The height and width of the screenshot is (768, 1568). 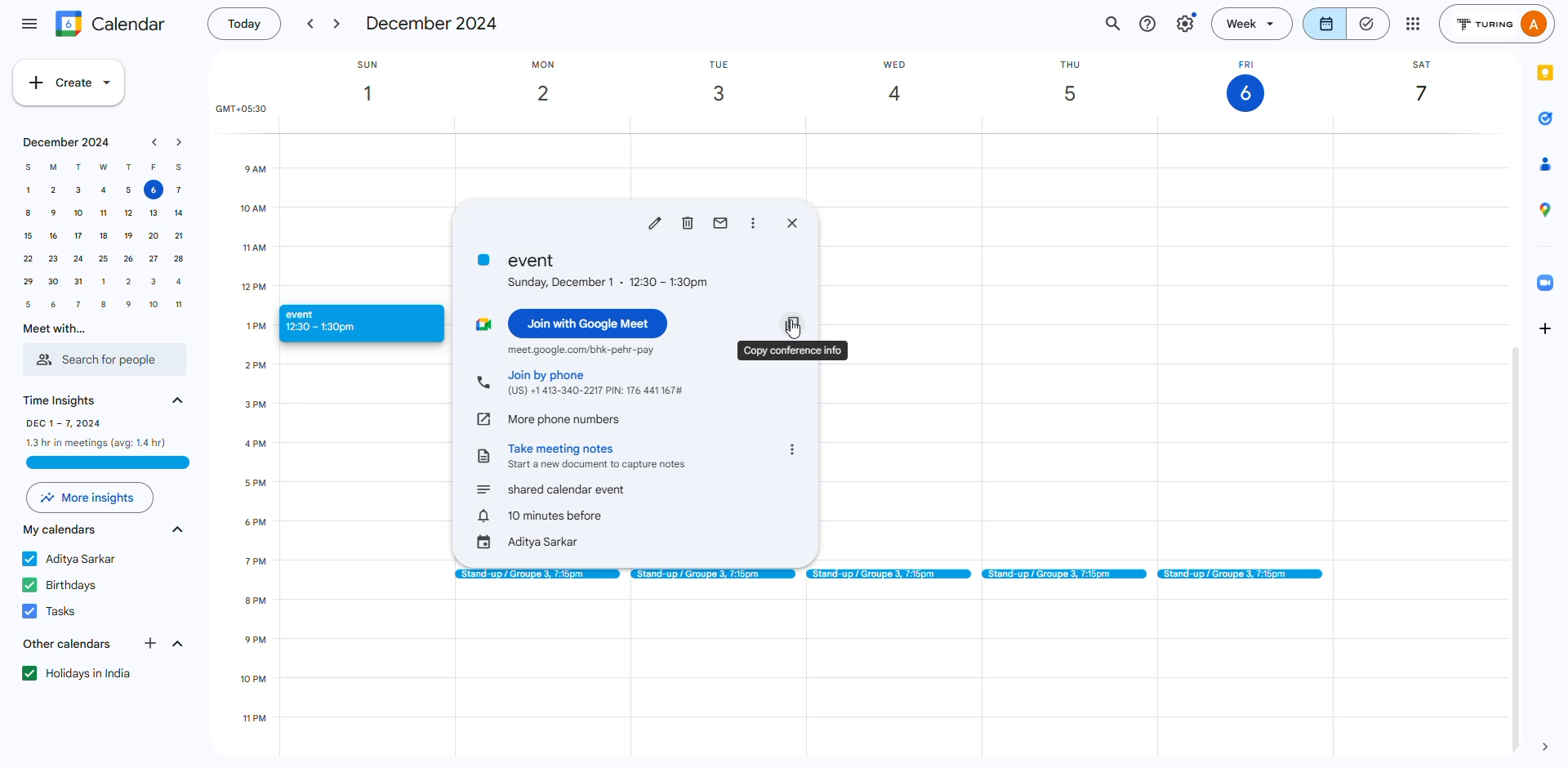 What do you see at coordinates (127, 236) in the screenshot?
I see `19` at bounding box center [127, 236].